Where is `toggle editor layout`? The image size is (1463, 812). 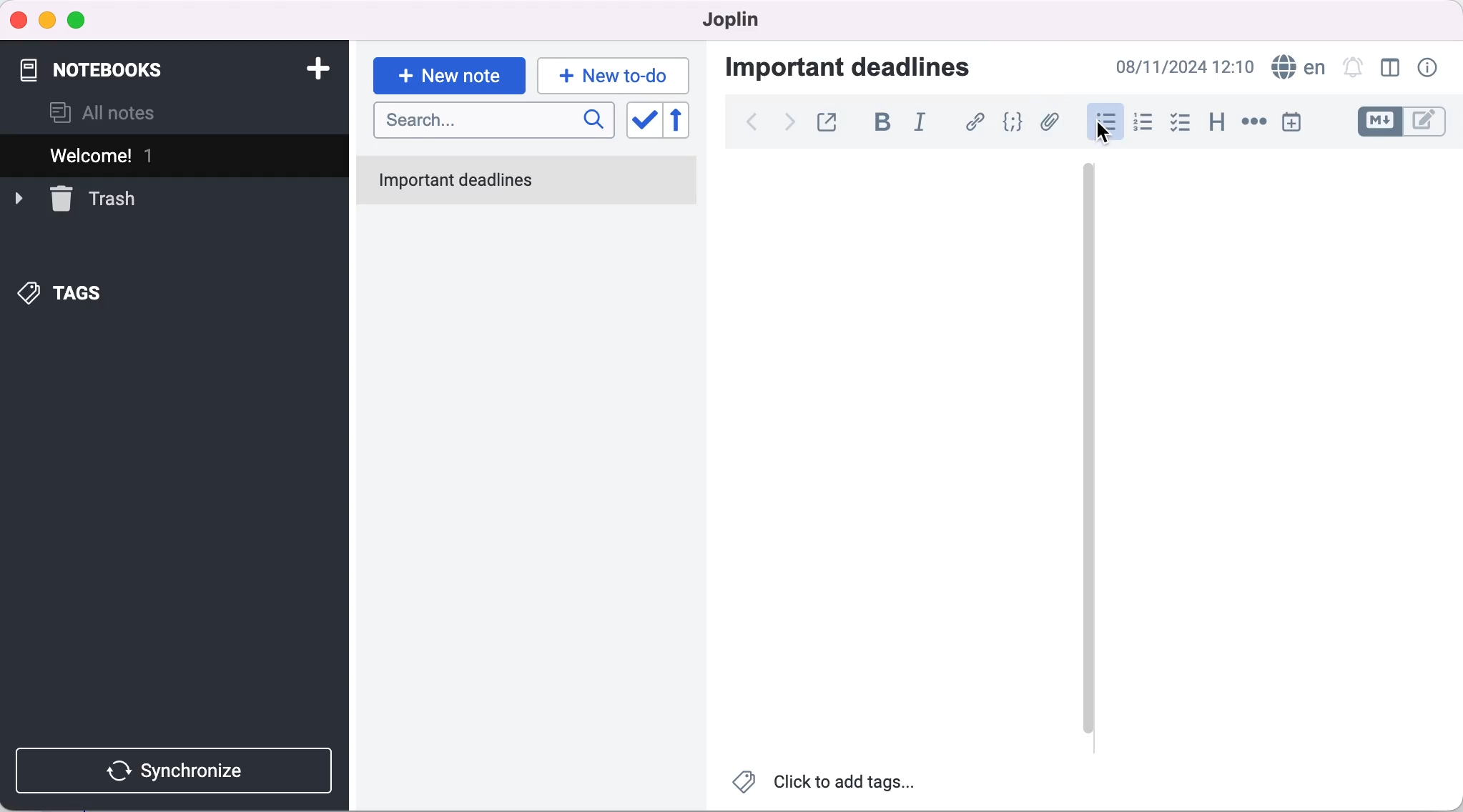 toggle editor layout is located at coordinates (1387, 69).